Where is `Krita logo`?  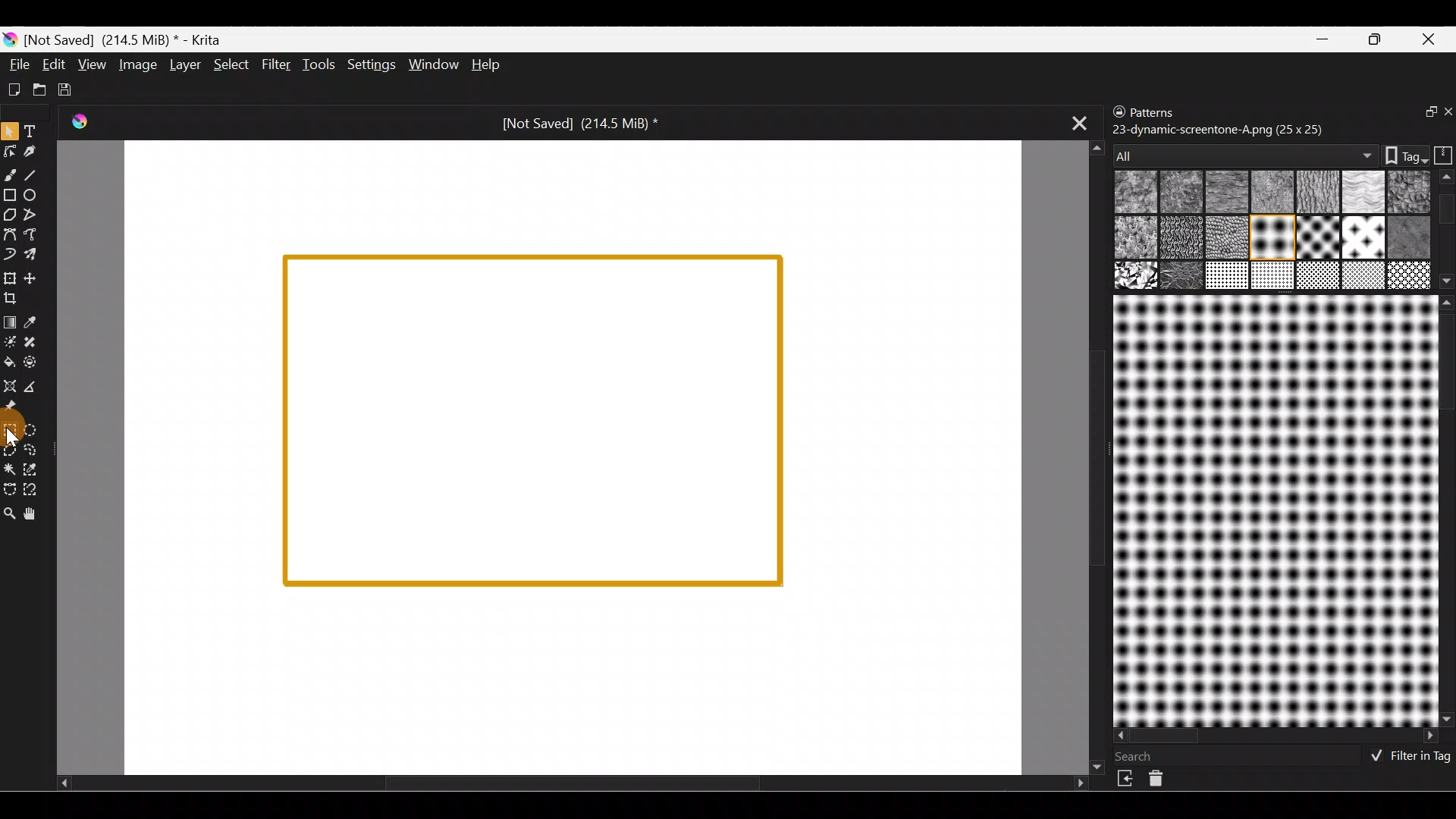 Krita logo is located at coordinates (9, 40).